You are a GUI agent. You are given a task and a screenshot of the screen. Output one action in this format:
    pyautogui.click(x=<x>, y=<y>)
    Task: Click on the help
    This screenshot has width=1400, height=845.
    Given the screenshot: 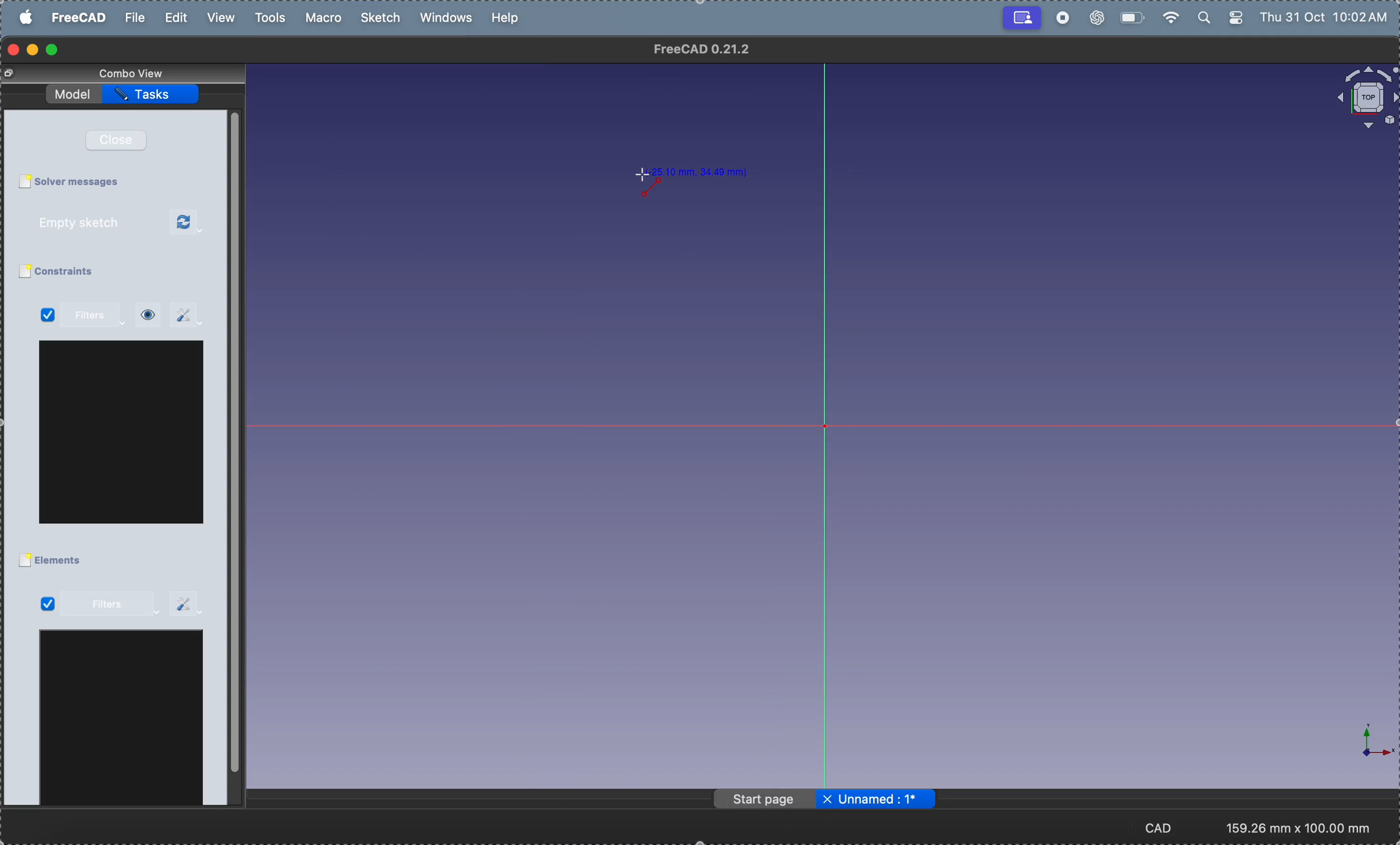 What is the action you would take?
    pyautogui.click(x=507, y=17)
    